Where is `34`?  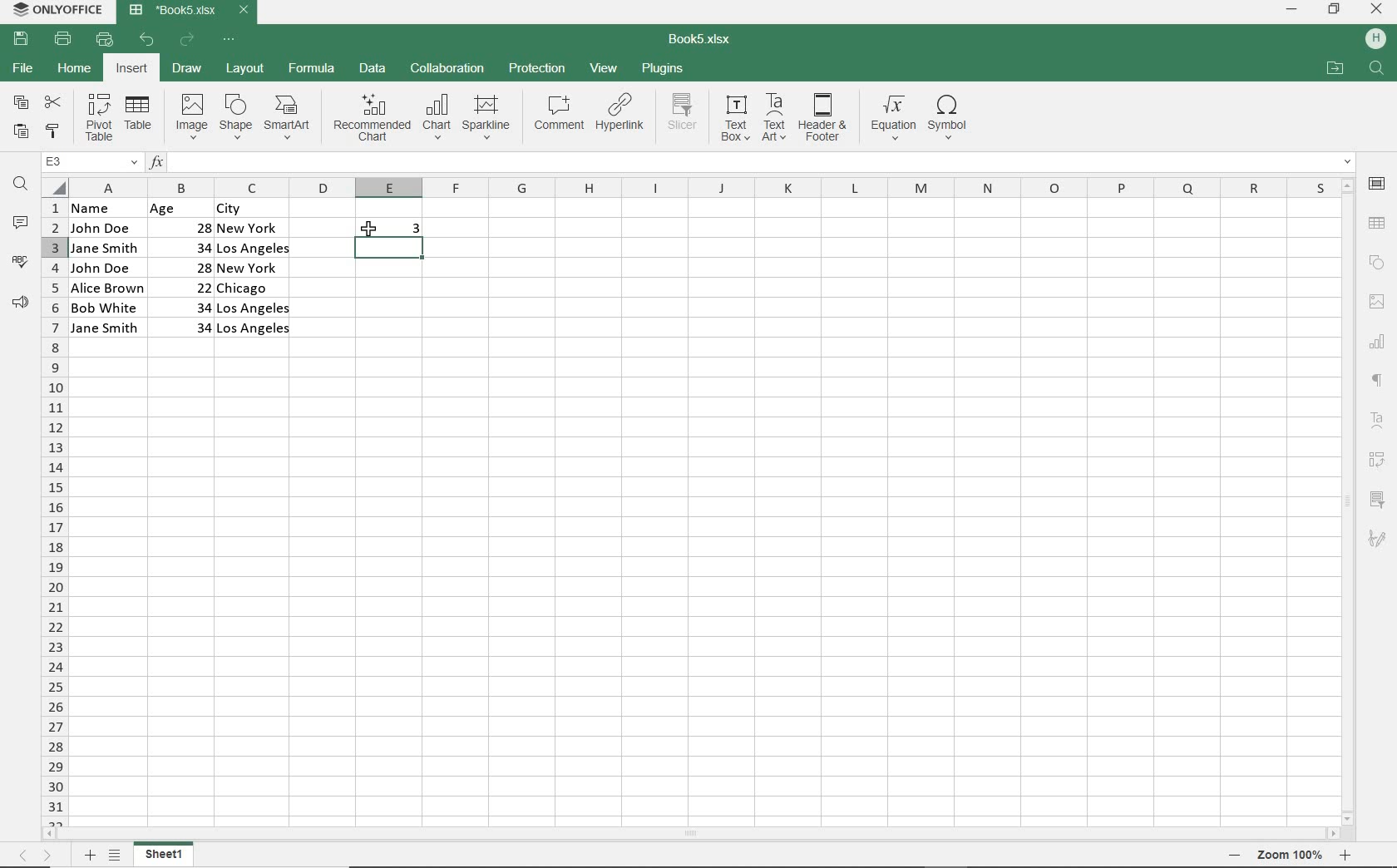
34 is located at coordinates (185, 306).